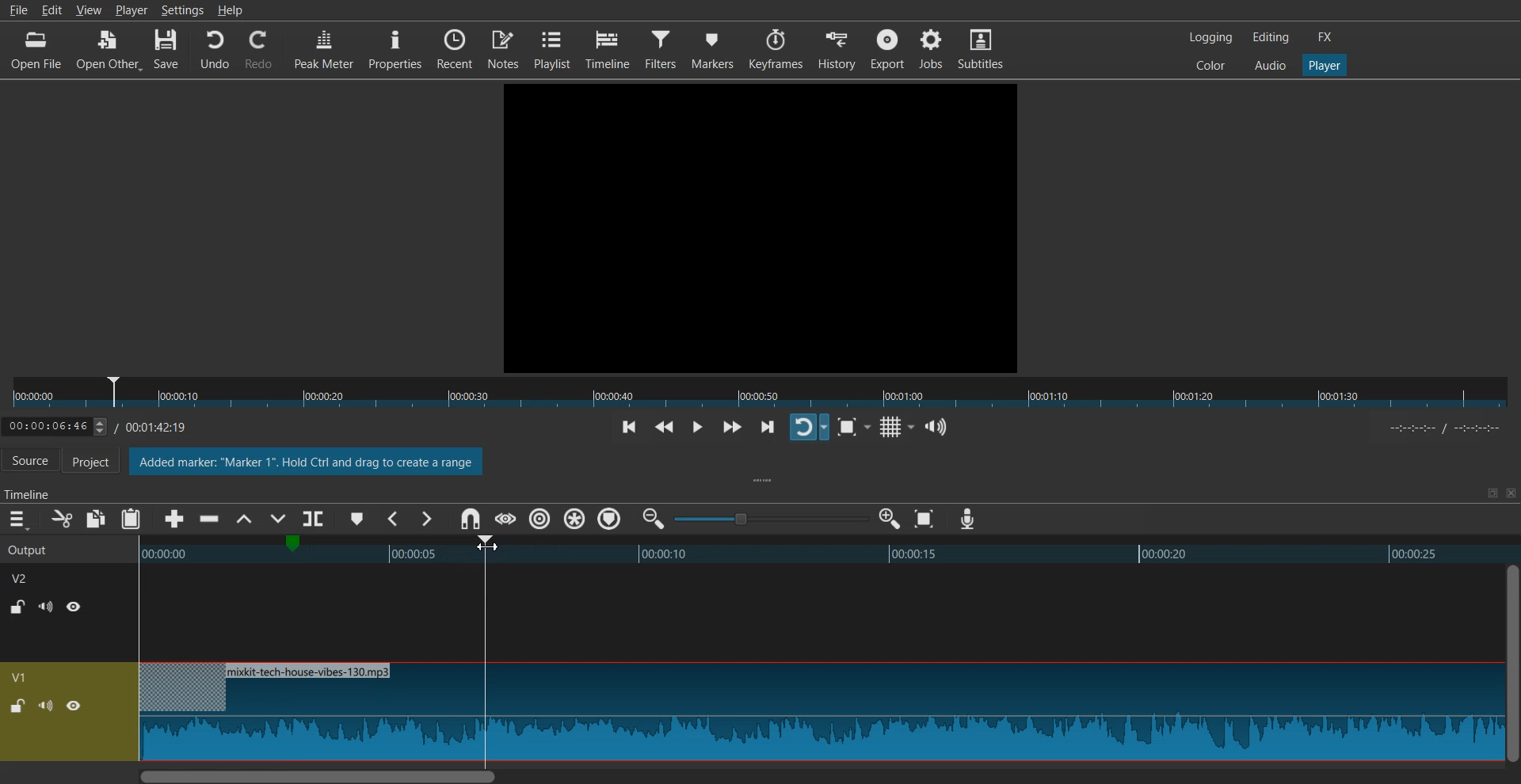 The width and height of the screenshot is (1521, 784). Describe the element at coordinates (849, 428) in the screenshot. I see `Toggle Zoom` at that location.